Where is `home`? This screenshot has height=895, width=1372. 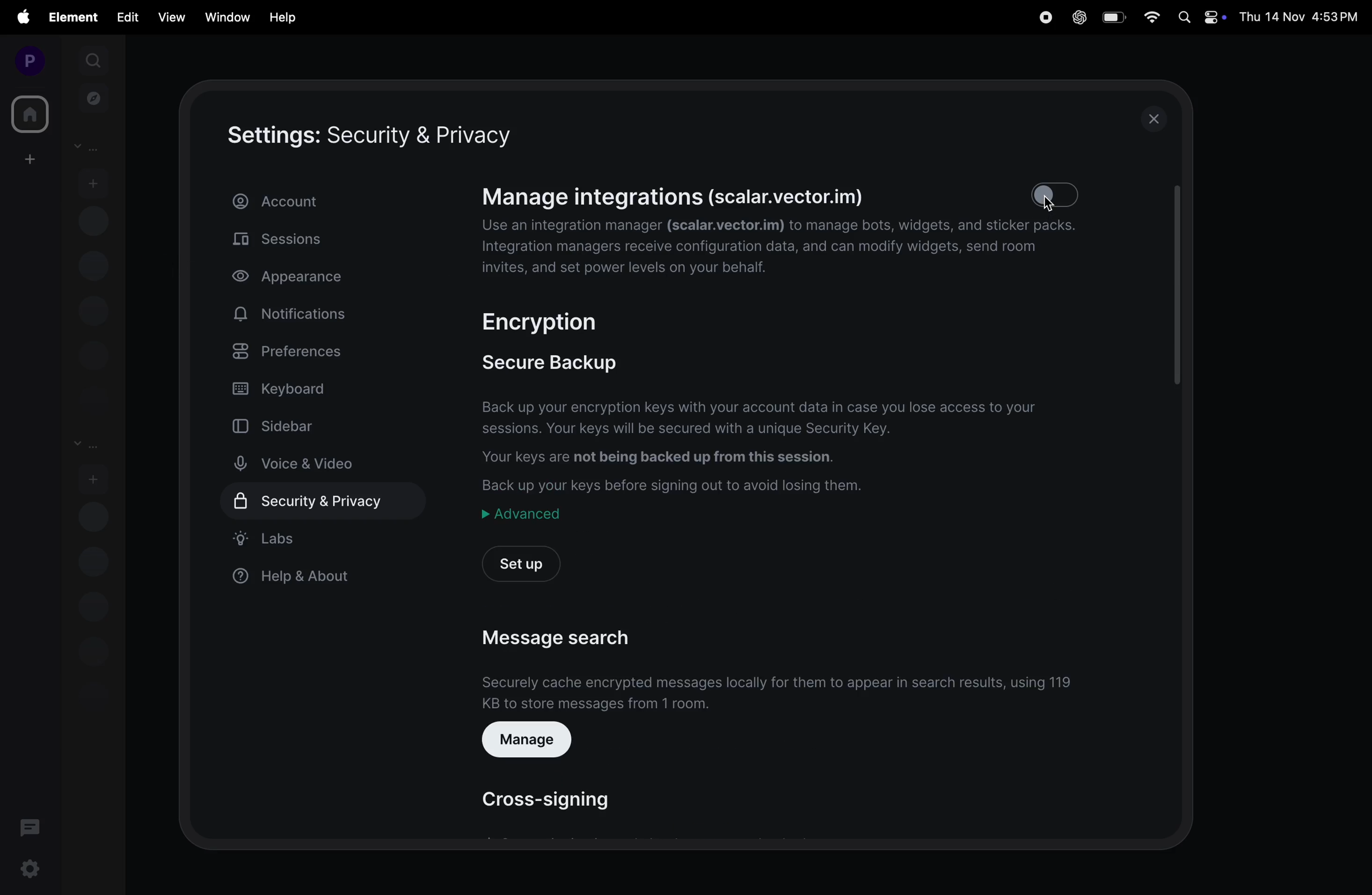
home is located at coordinates (31, 114).